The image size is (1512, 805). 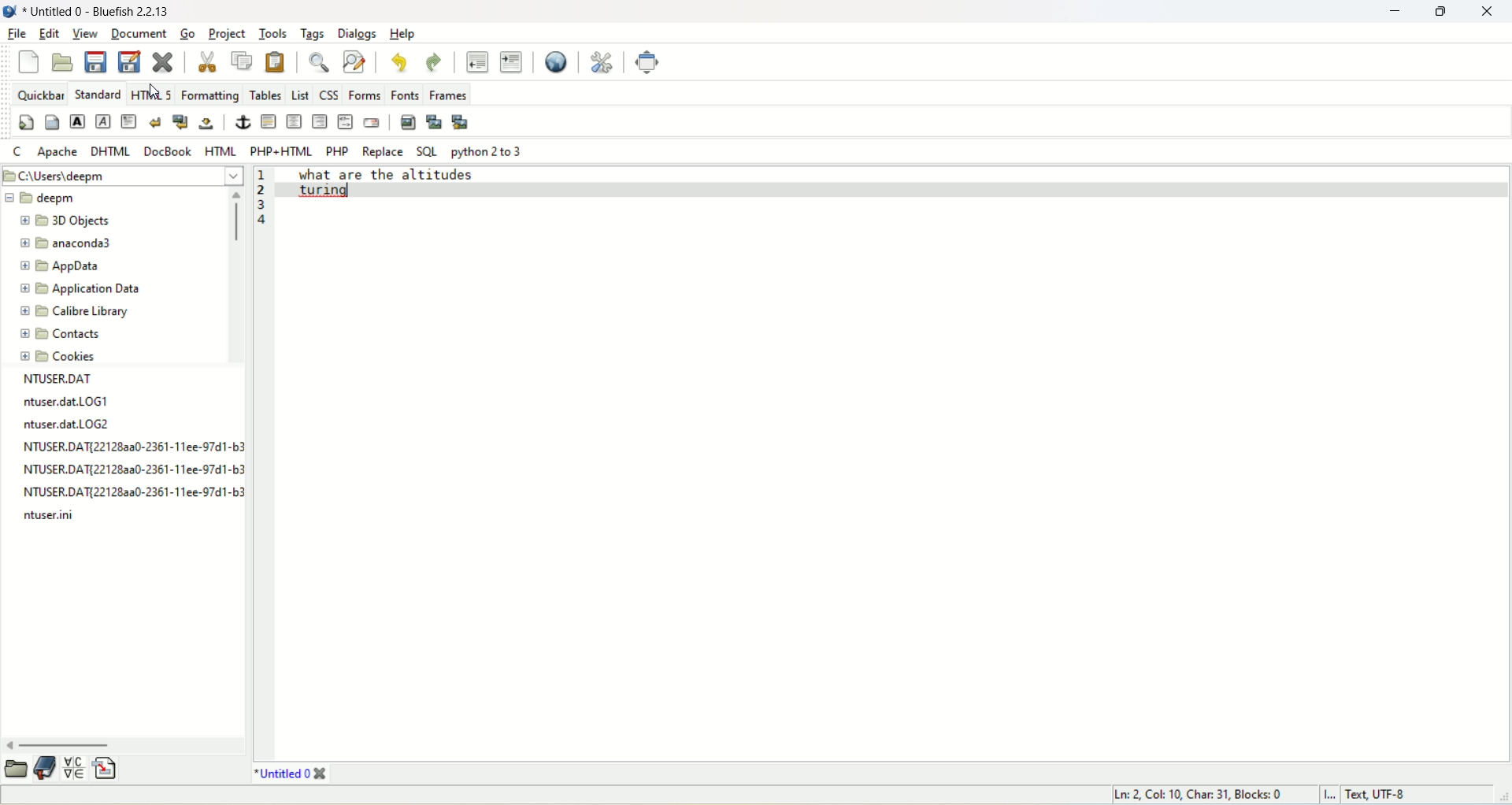 I want to click on contacts, so click(x=65, y=333).